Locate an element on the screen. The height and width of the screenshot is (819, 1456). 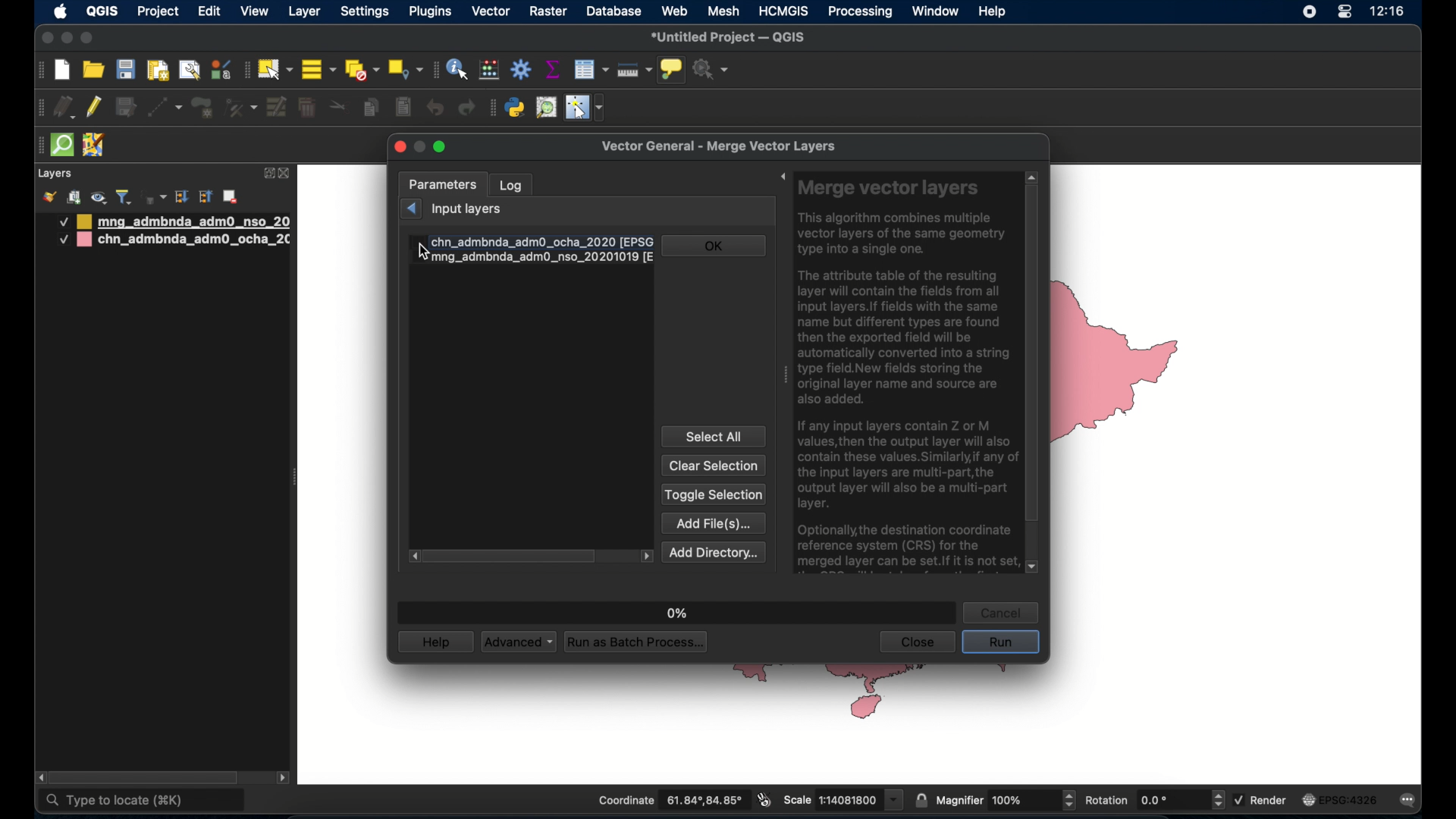
apple icon is located at coordinates (61, 11).